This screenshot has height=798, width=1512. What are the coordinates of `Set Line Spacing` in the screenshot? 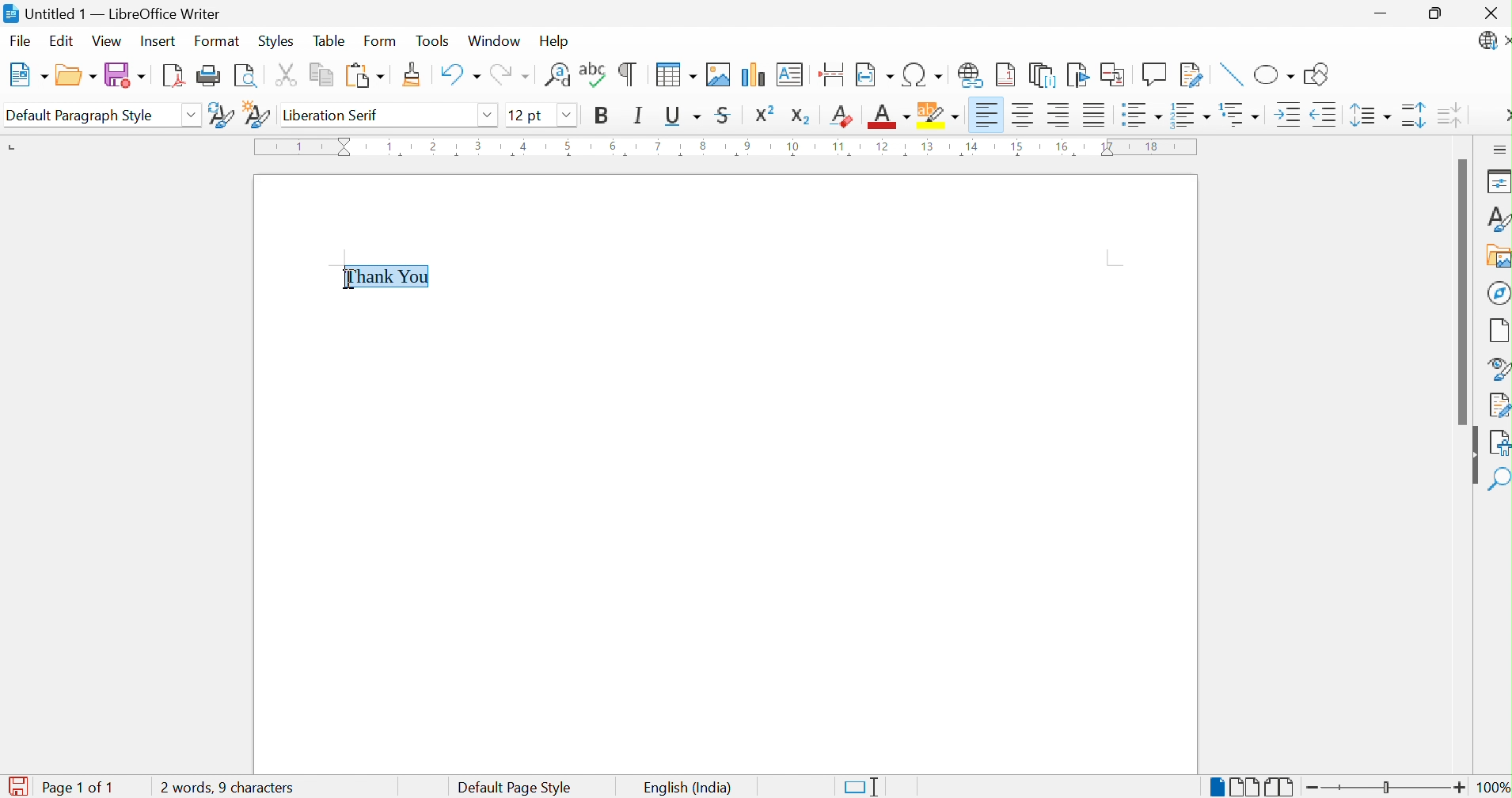 It's located at (1370, 117).